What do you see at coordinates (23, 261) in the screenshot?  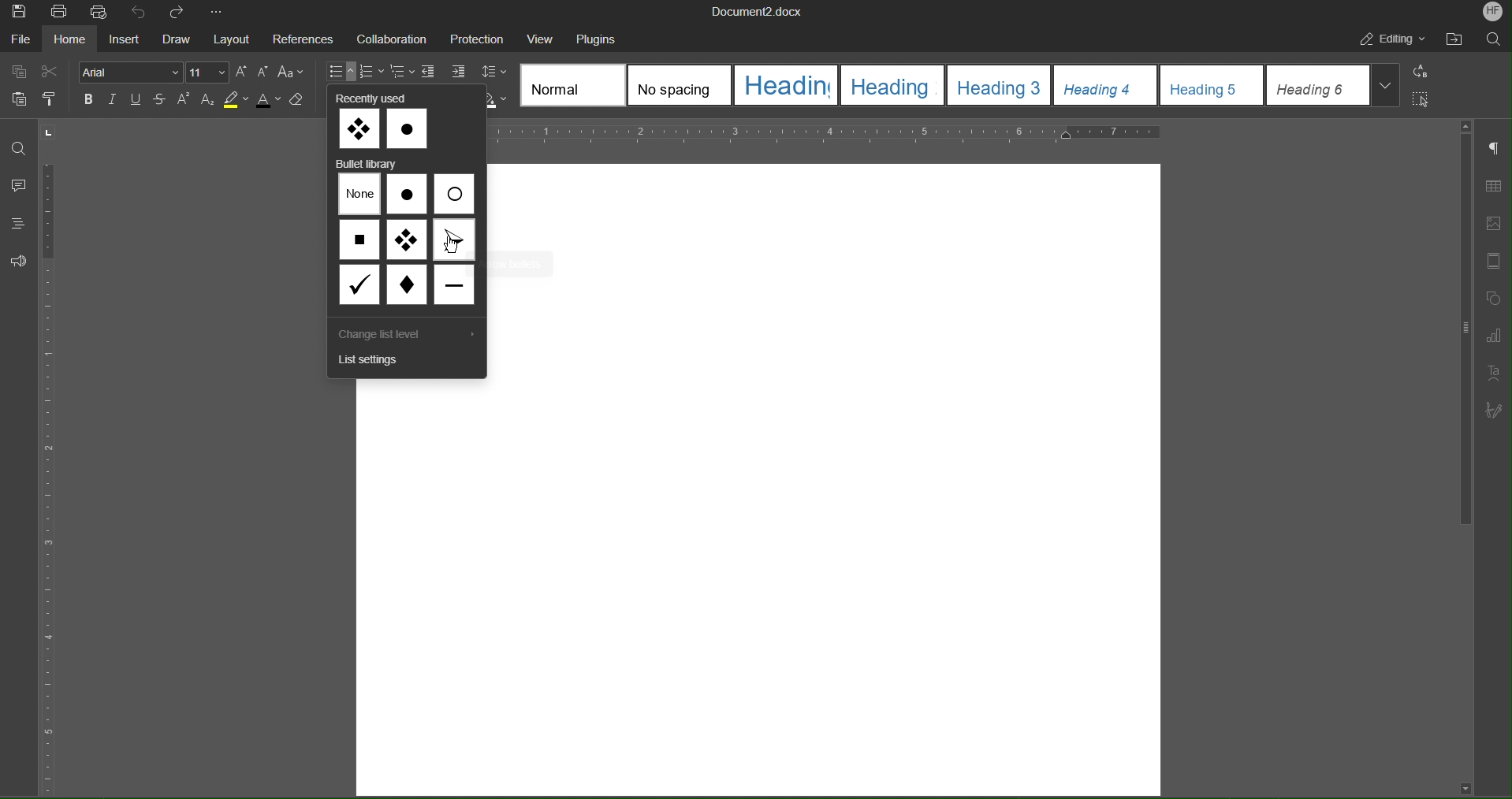 I see `Feedback and Support` at bounding box center [23, 261].